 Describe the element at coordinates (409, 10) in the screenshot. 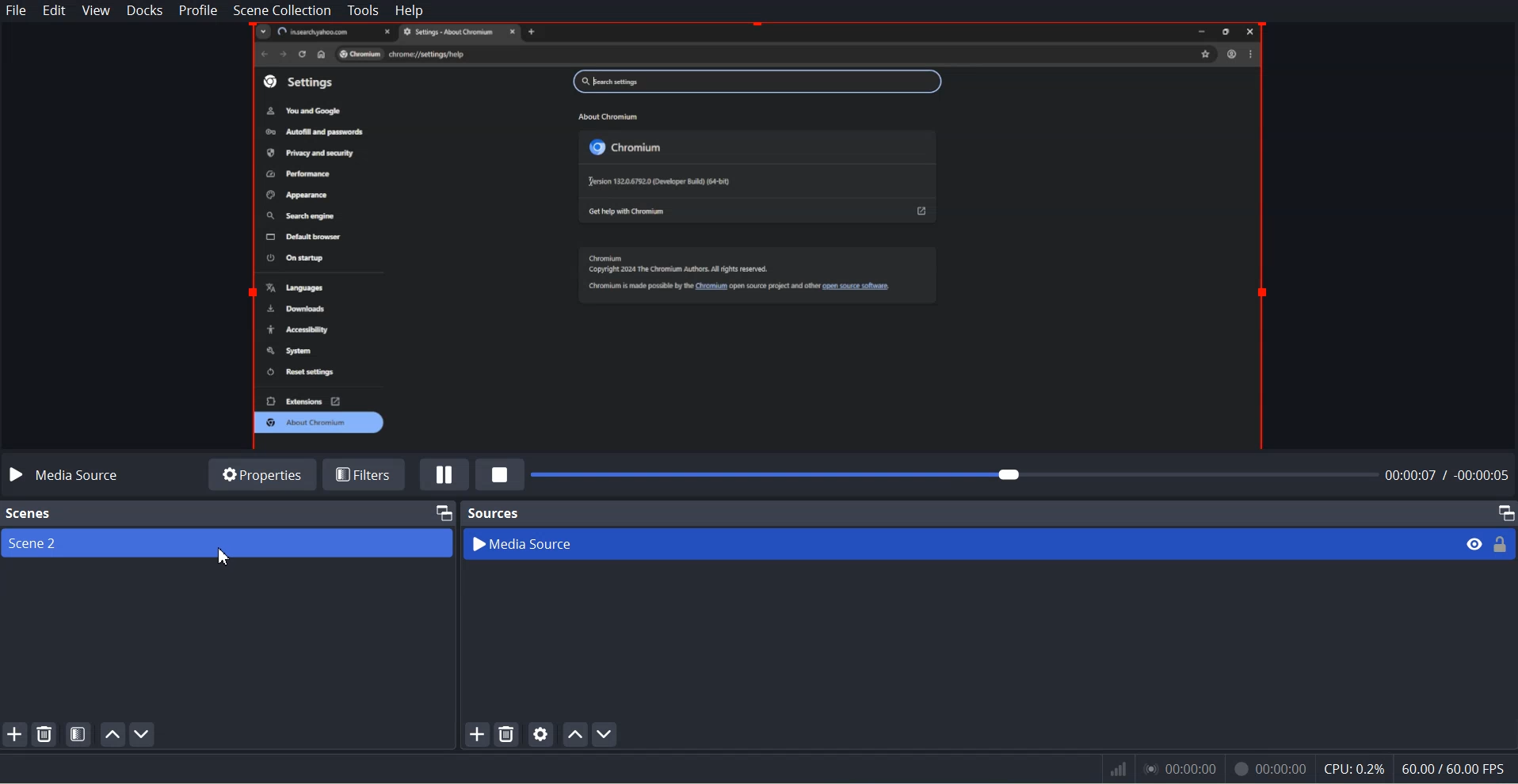

I see `Help` at that location.